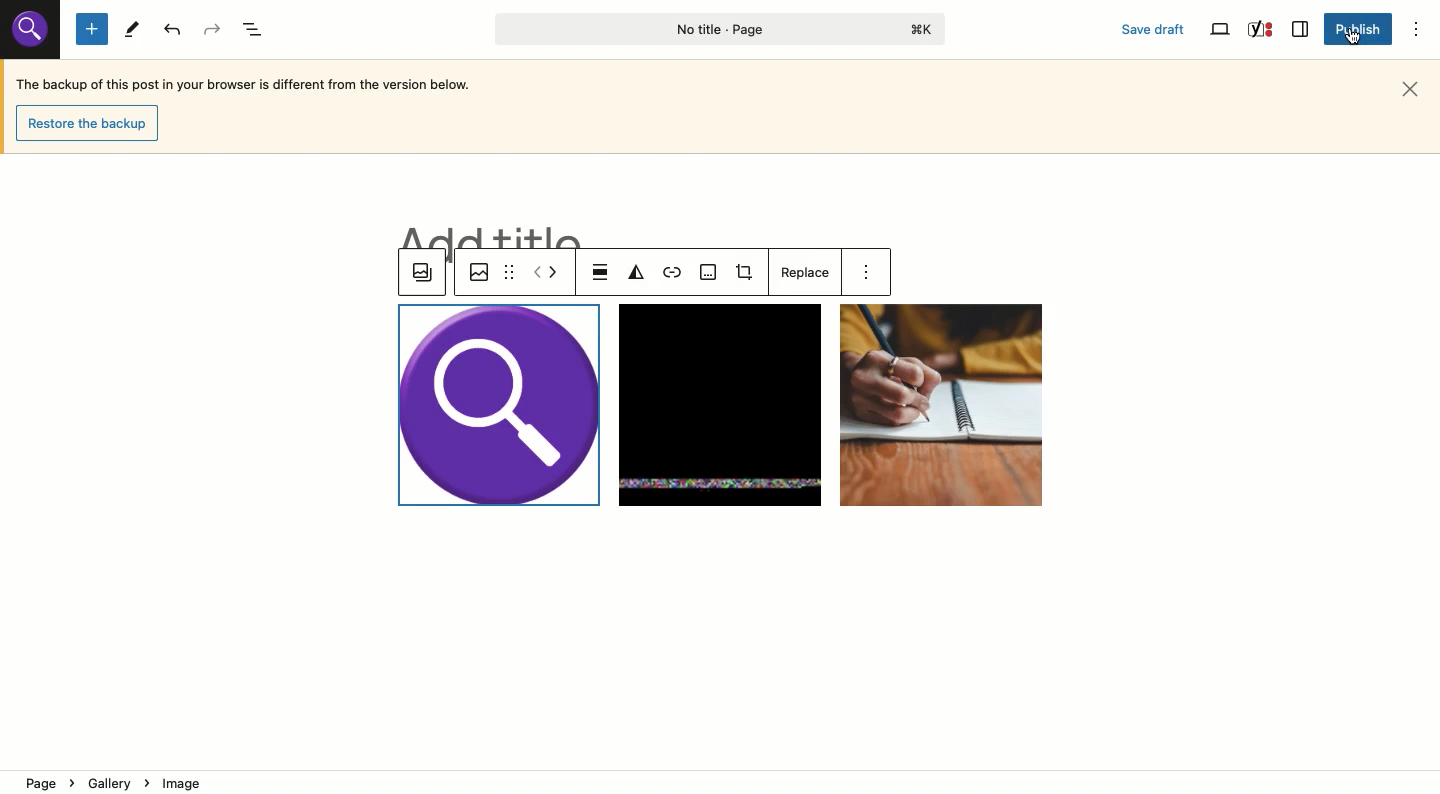  Describe the element at coordinates (1417, 88) in the screenshot. I see `Close` at that location.